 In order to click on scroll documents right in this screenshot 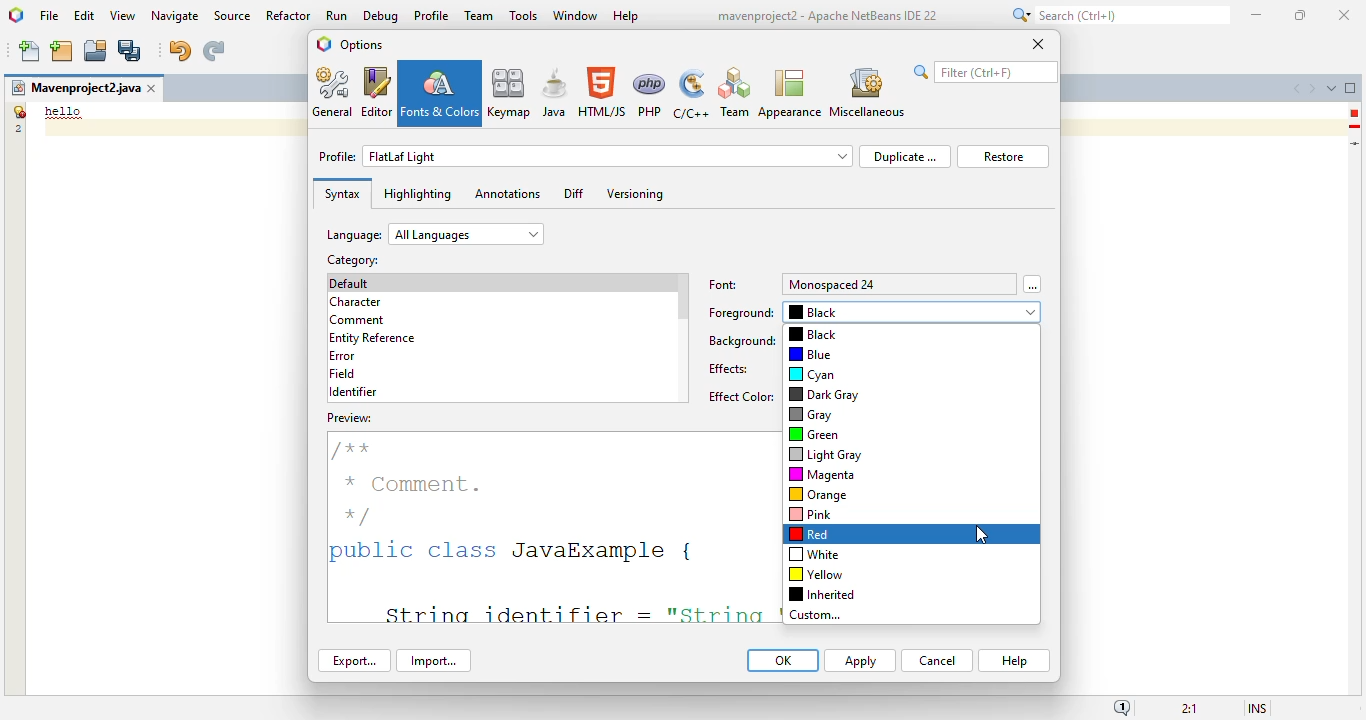, I will do `click(1311, 89)`.